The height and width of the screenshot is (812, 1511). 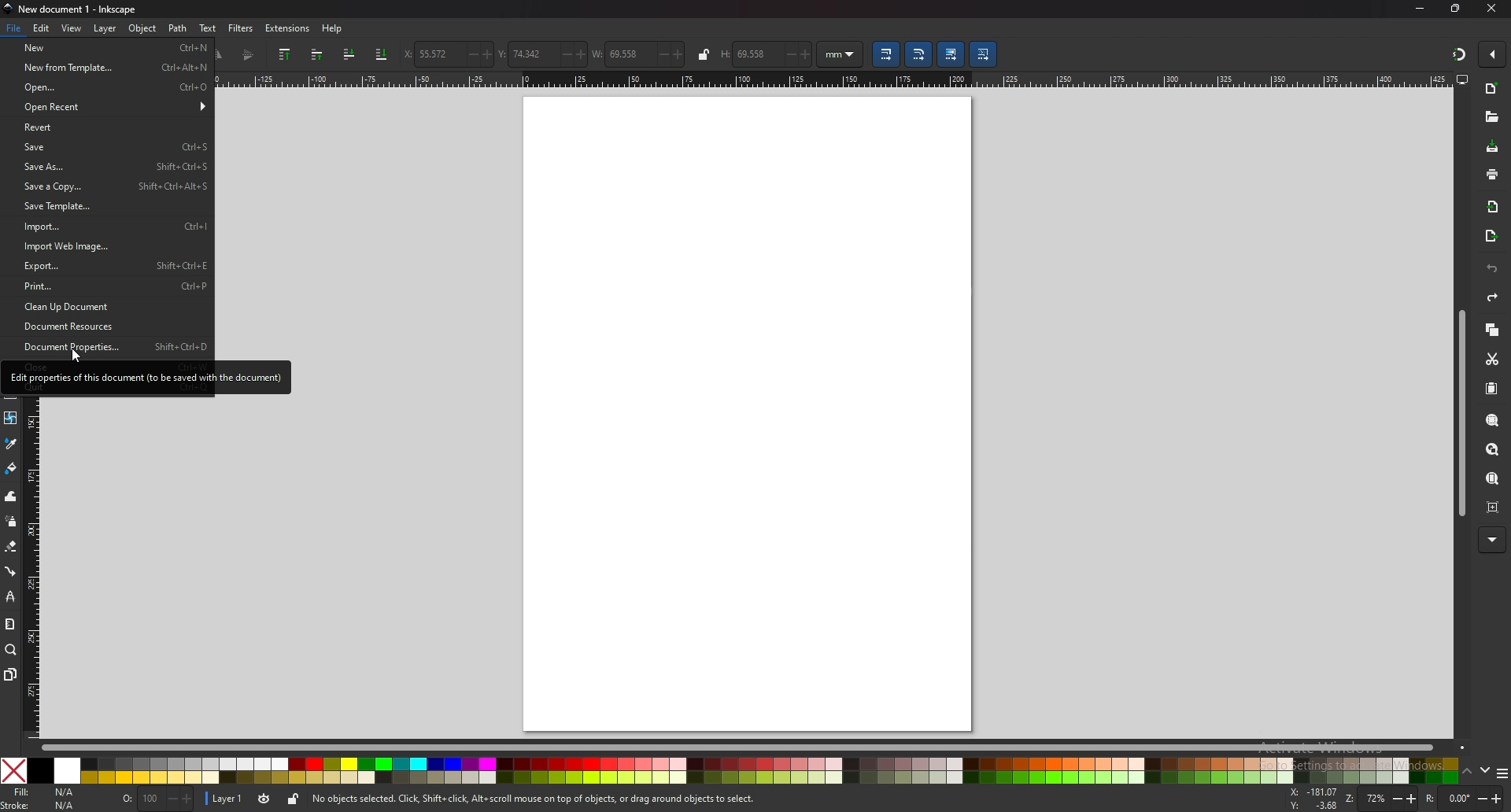 I want to click on zoom, so click(x=10, y=650).